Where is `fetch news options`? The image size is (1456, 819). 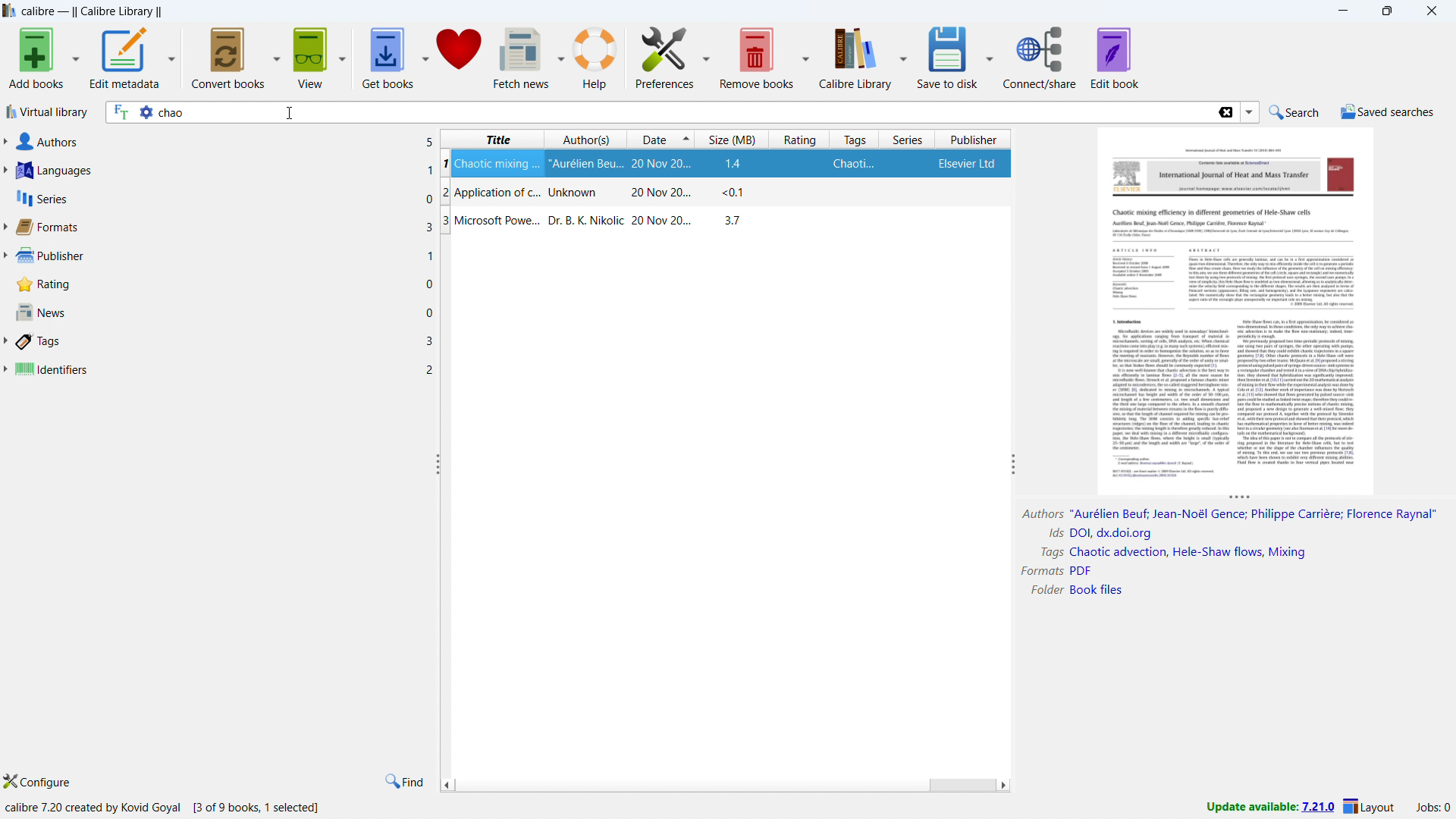 fetch news options is located at coordinates (560, 56).